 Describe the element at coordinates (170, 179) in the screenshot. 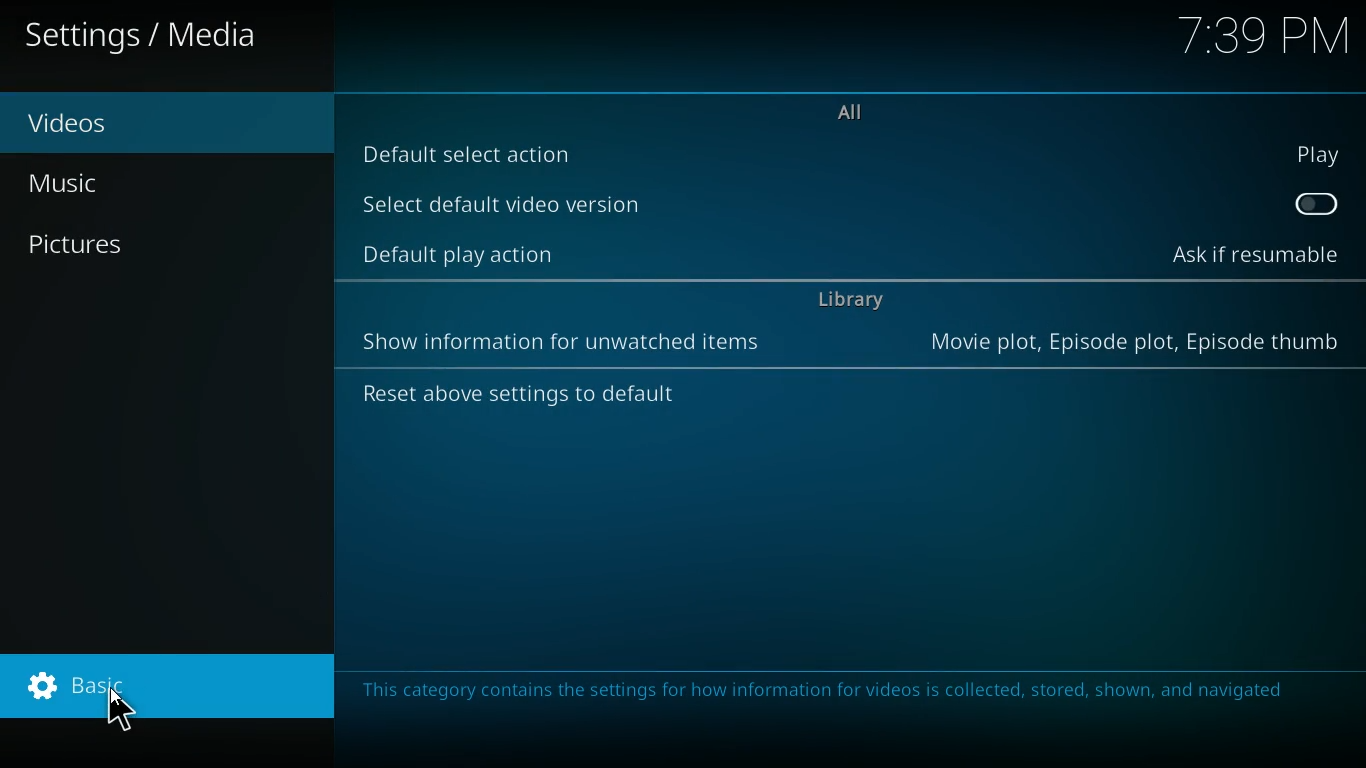

I see `music` at that location.